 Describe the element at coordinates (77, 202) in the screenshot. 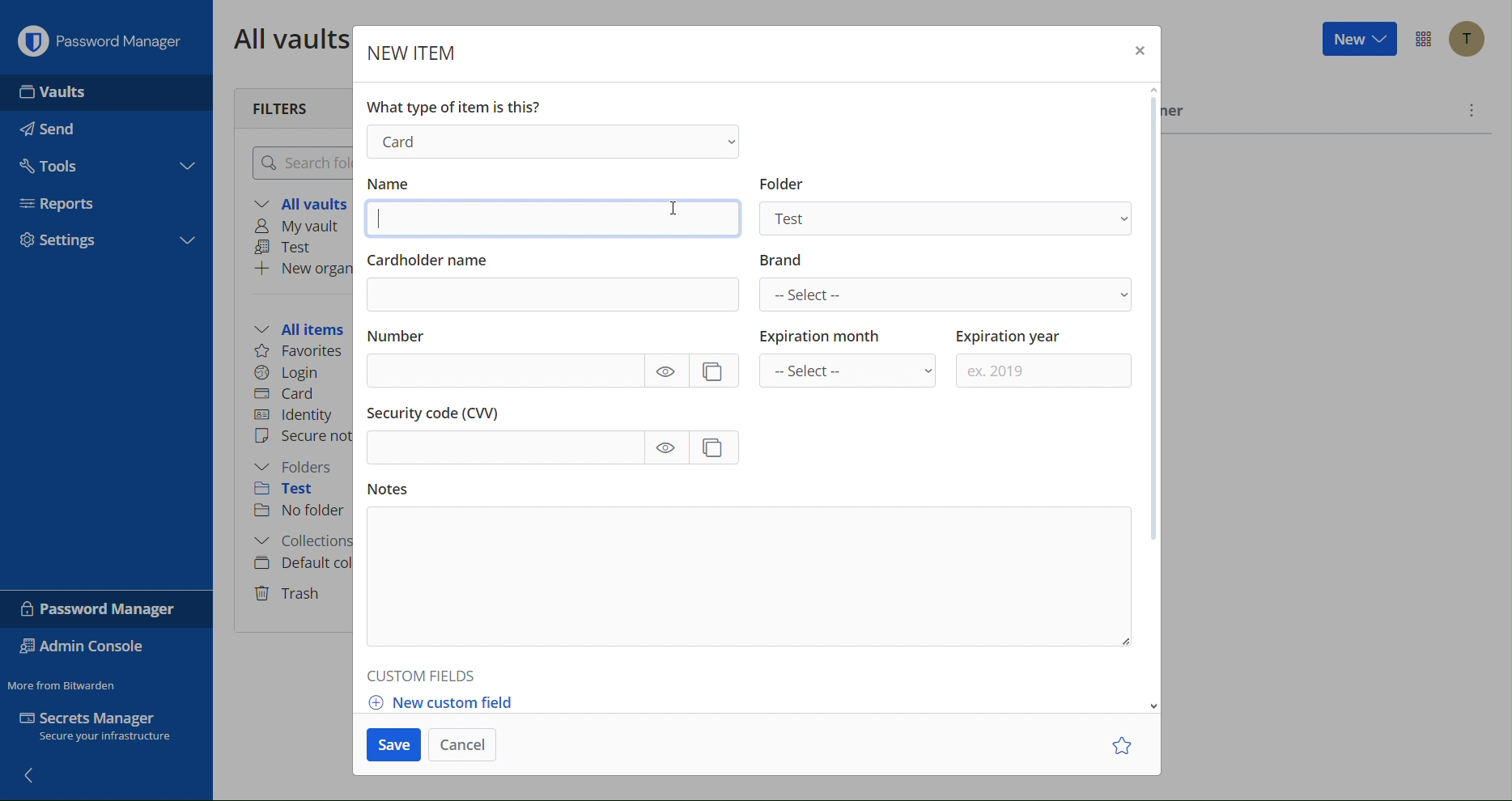

I see `Reports` at that location.